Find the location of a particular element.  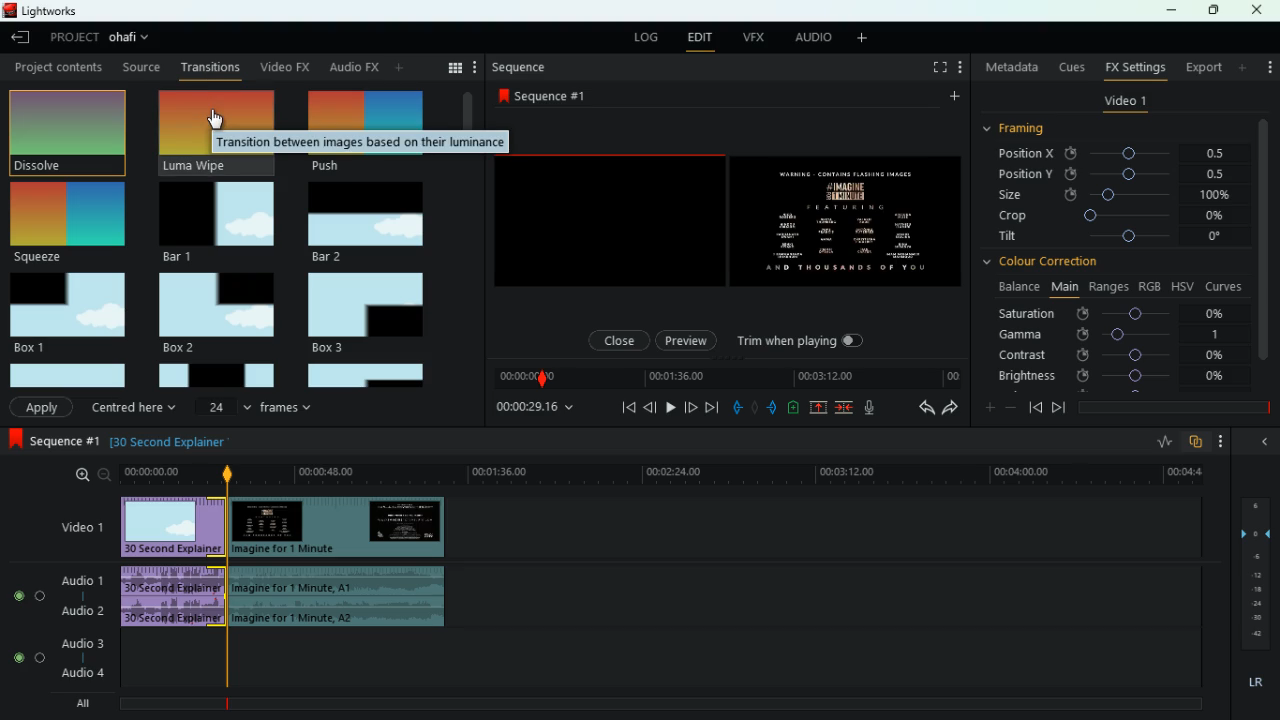

audio 2 is located at coordinates (80, 611).